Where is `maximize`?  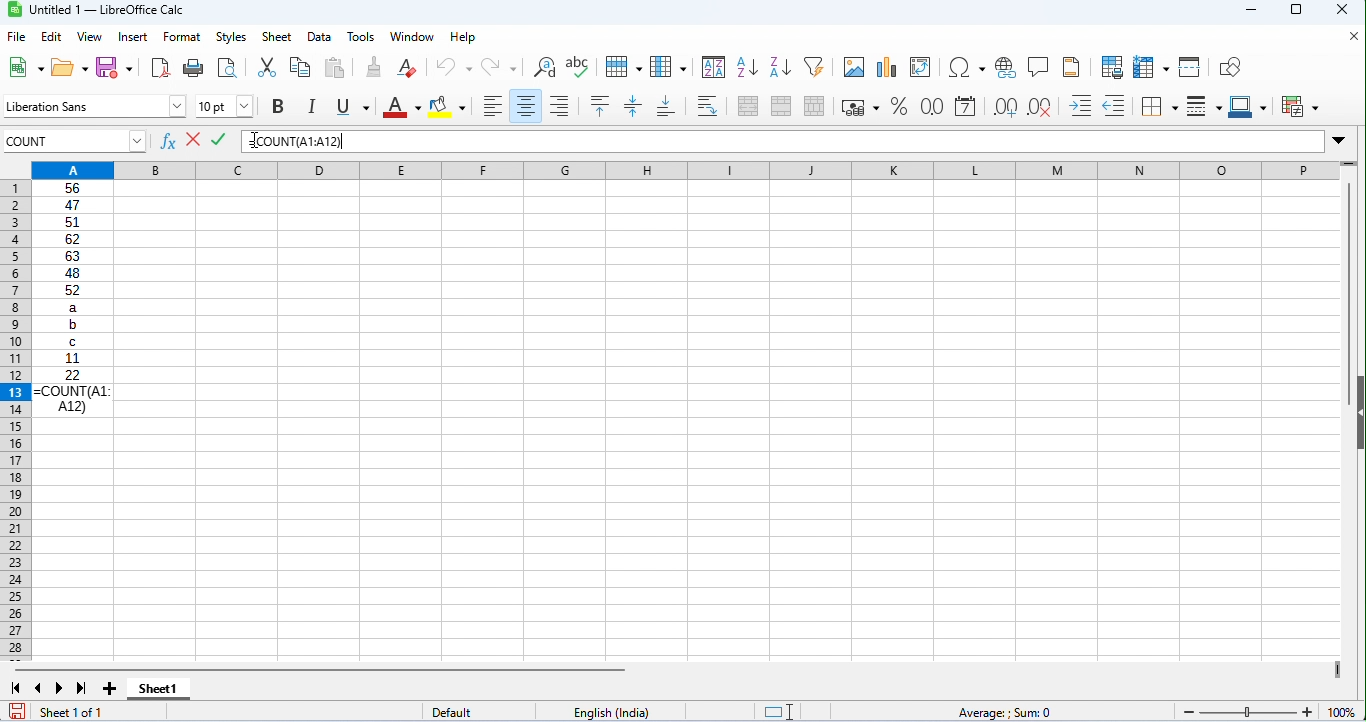 maximize is located at coordinates (1296, 10).